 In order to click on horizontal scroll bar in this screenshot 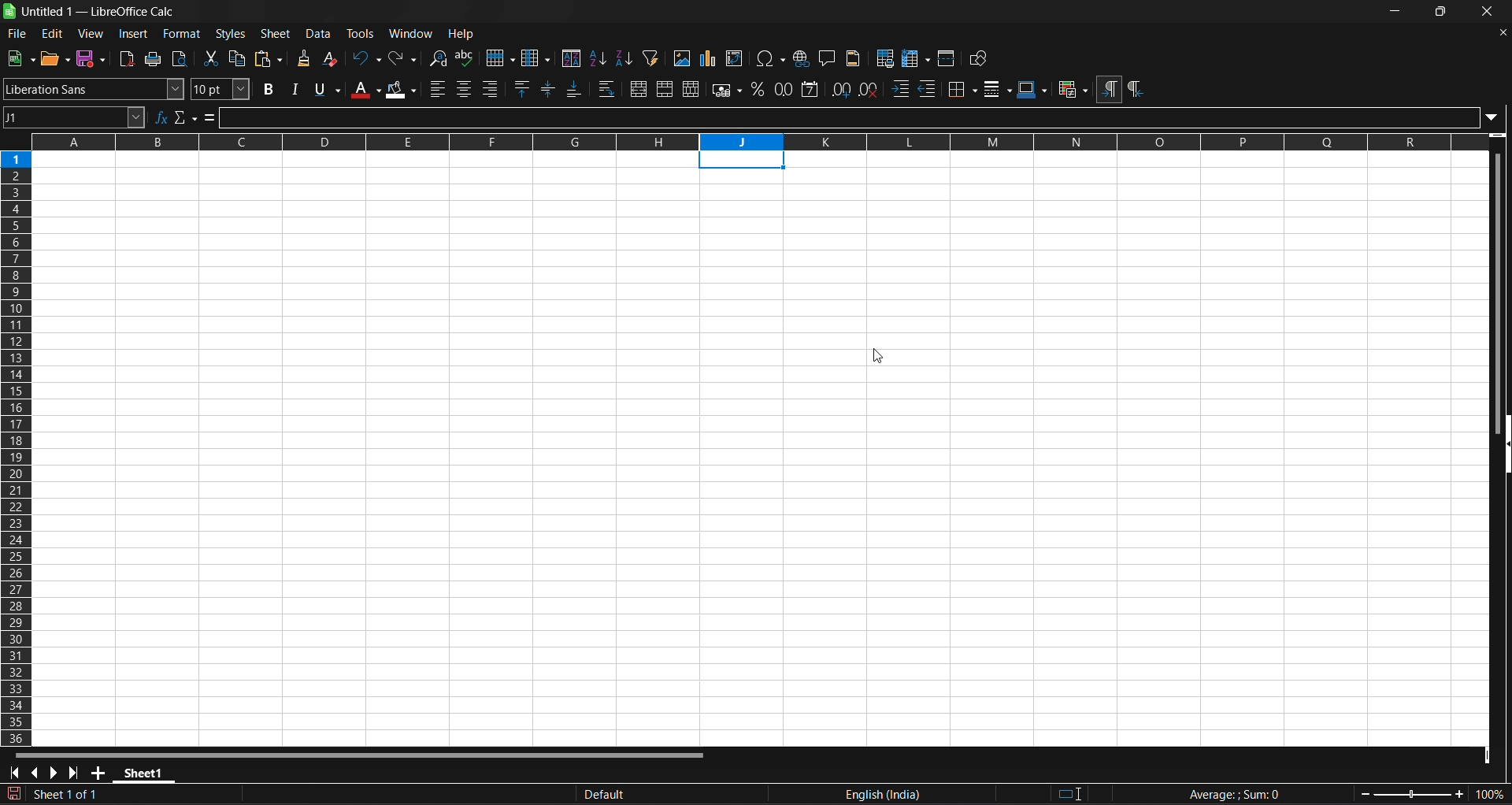, I will do `click(354, 753)`.